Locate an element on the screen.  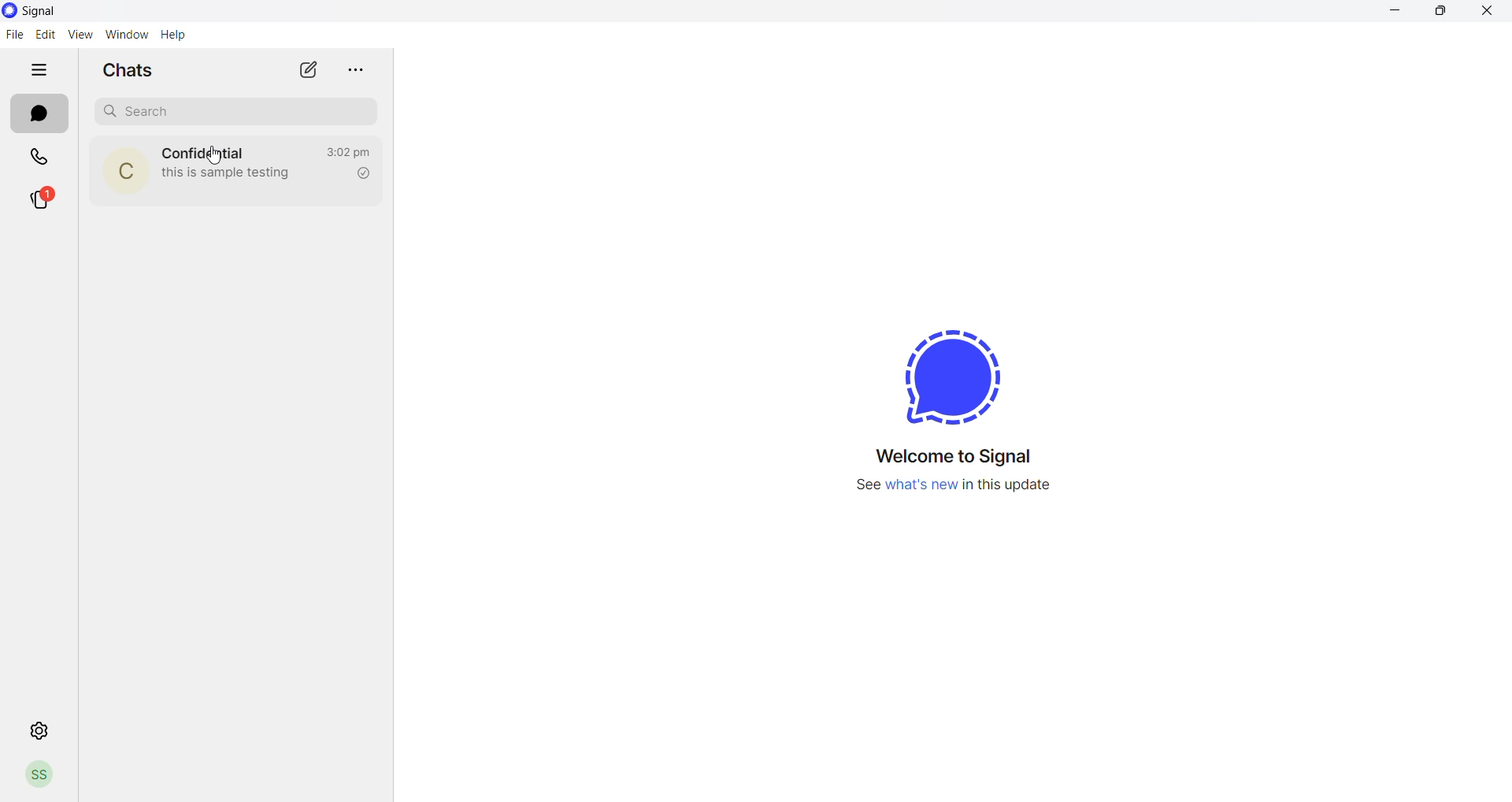
view is located at coordinates (84, 34).